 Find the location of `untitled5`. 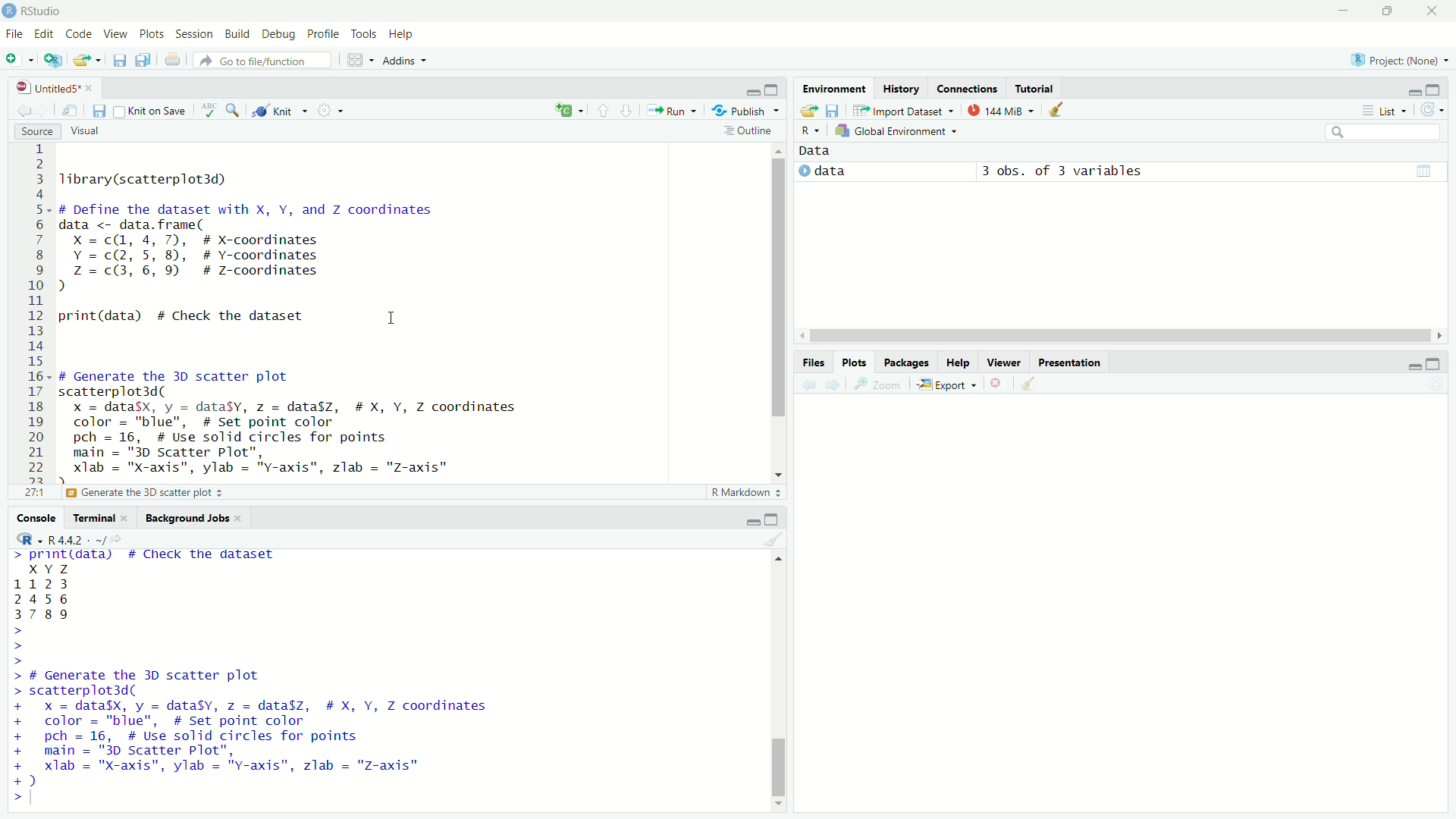

untitled5 is located at coordinates (42, 86).